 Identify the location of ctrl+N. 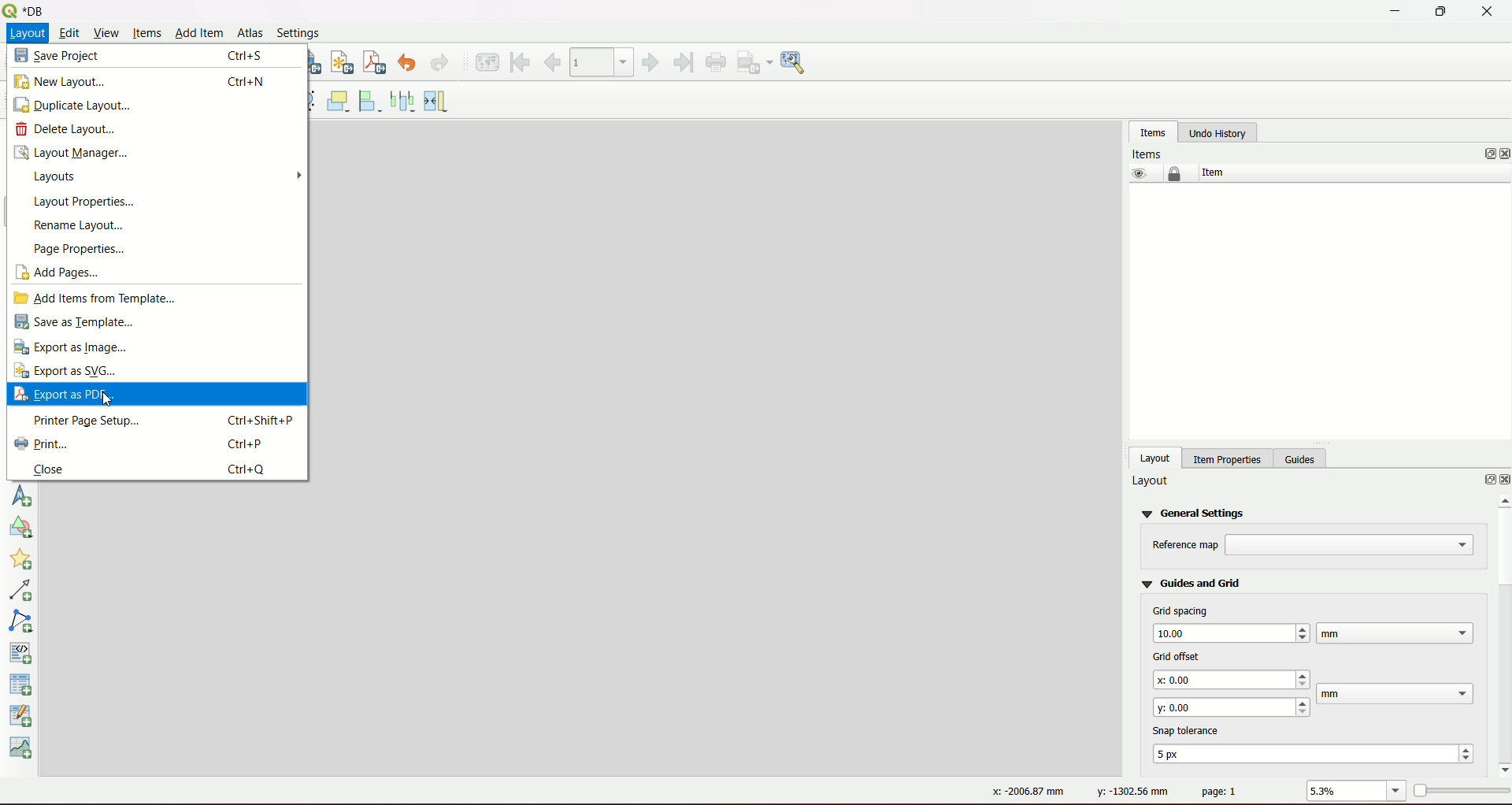
(249, 82).